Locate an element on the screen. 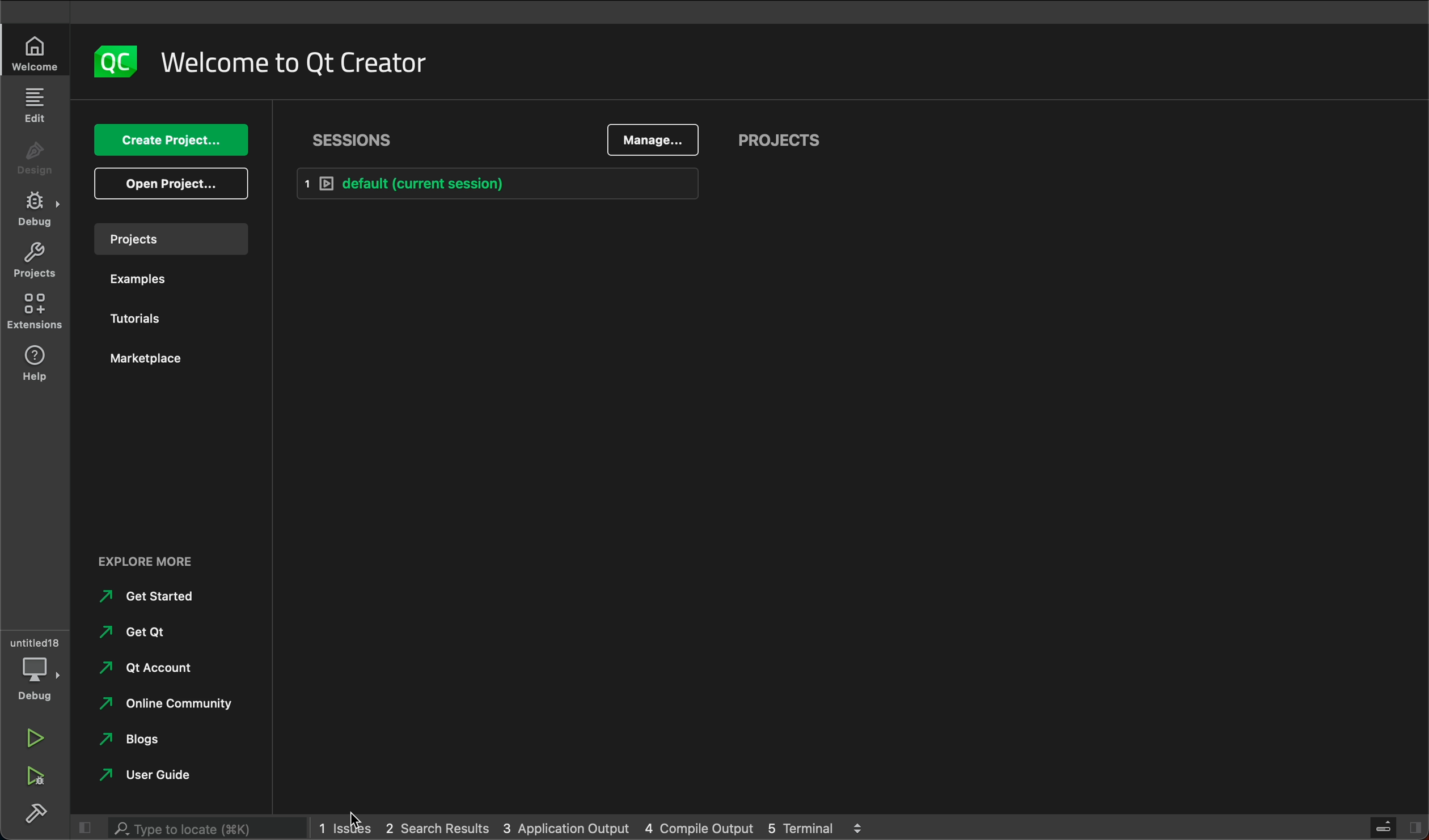  projects is located at coordinates (35, 260).